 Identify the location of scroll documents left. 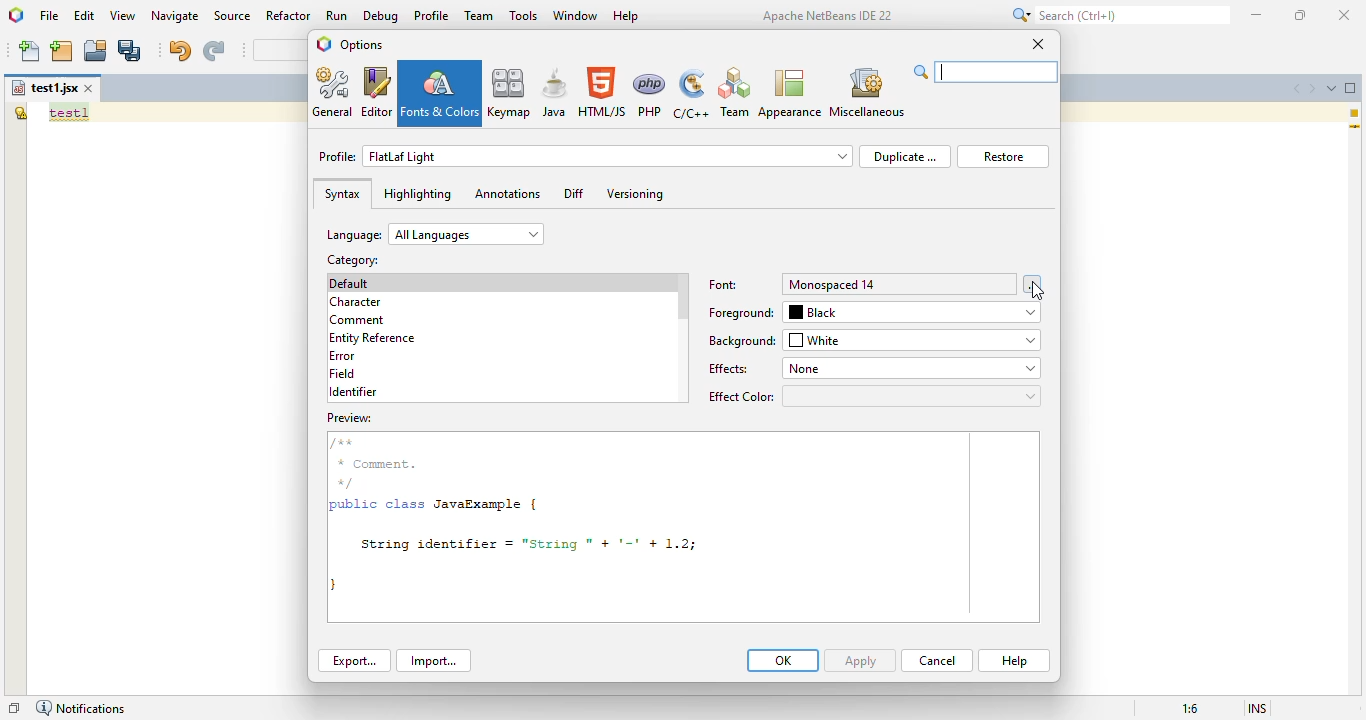
(1294, 88).